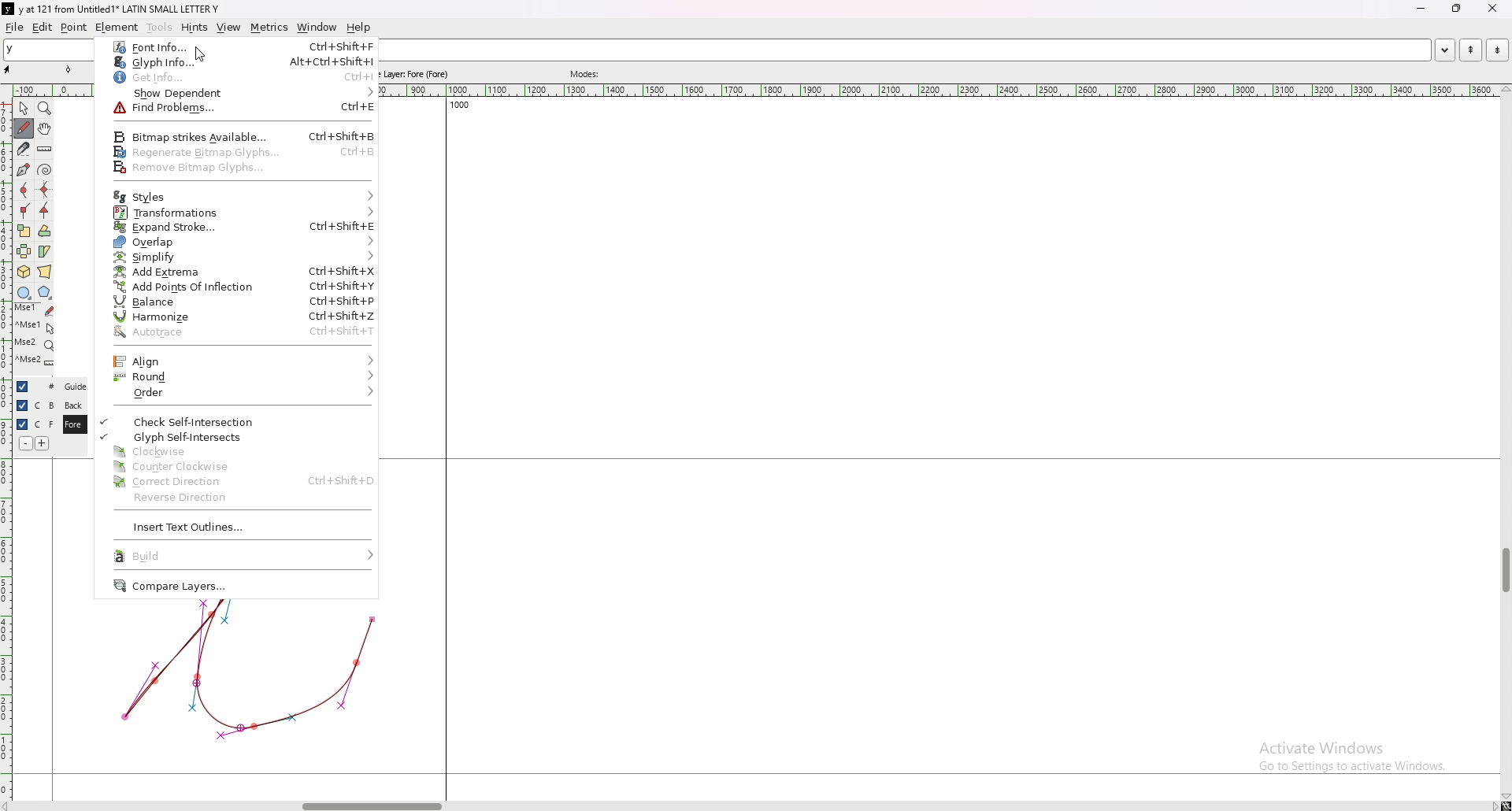 Image resolution: width=1512 pixels, height=811 pixels. What do you see at coordinates (248, 674) in the screenshot?
I see `graph` at bounding box center [248, 674].